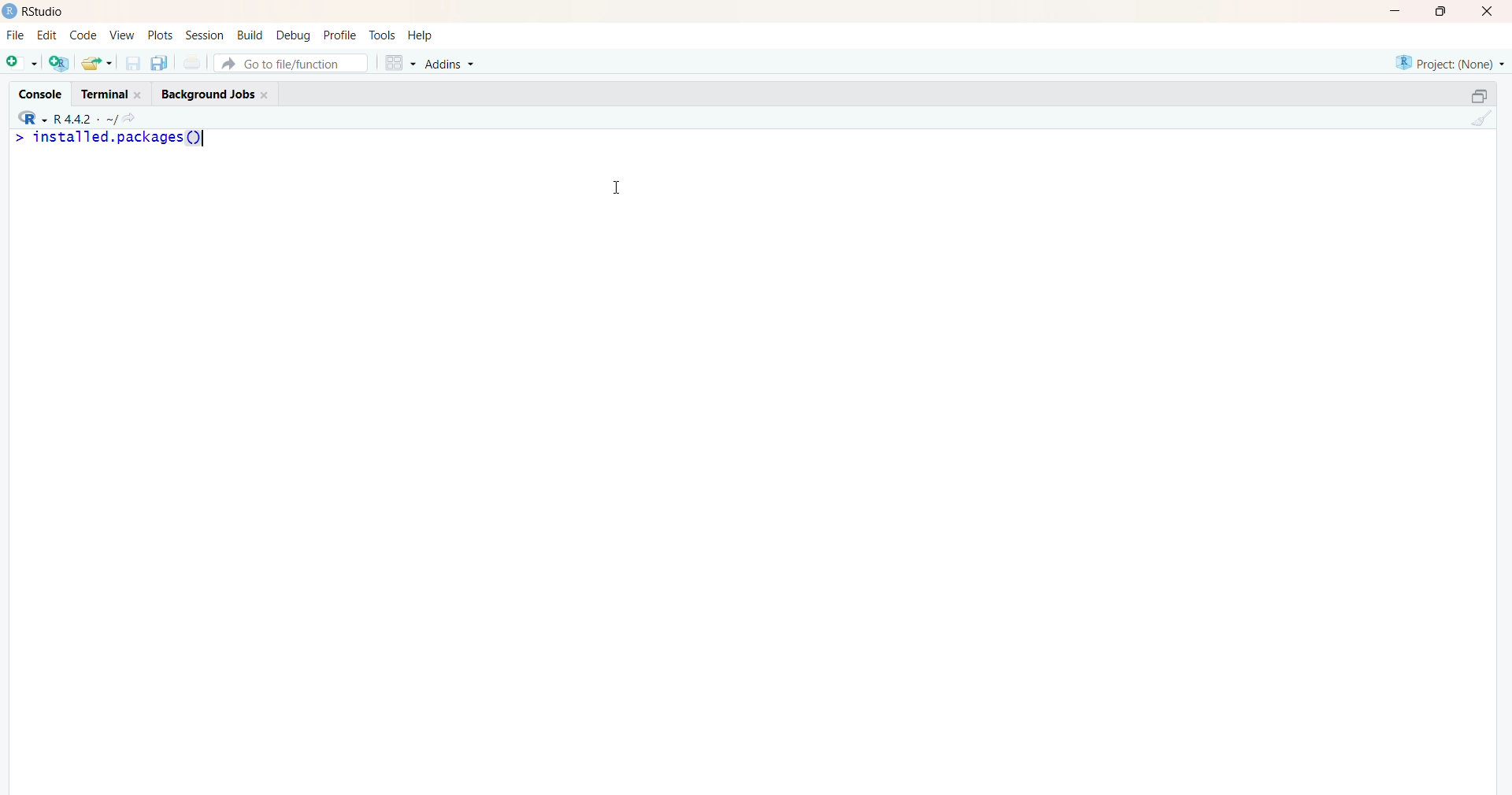 This screenshot has width=1512, height=795. What do you see at coordinates (215, 94) in the screenshot?
I see `background jobs` at bounding box center [215, 94].